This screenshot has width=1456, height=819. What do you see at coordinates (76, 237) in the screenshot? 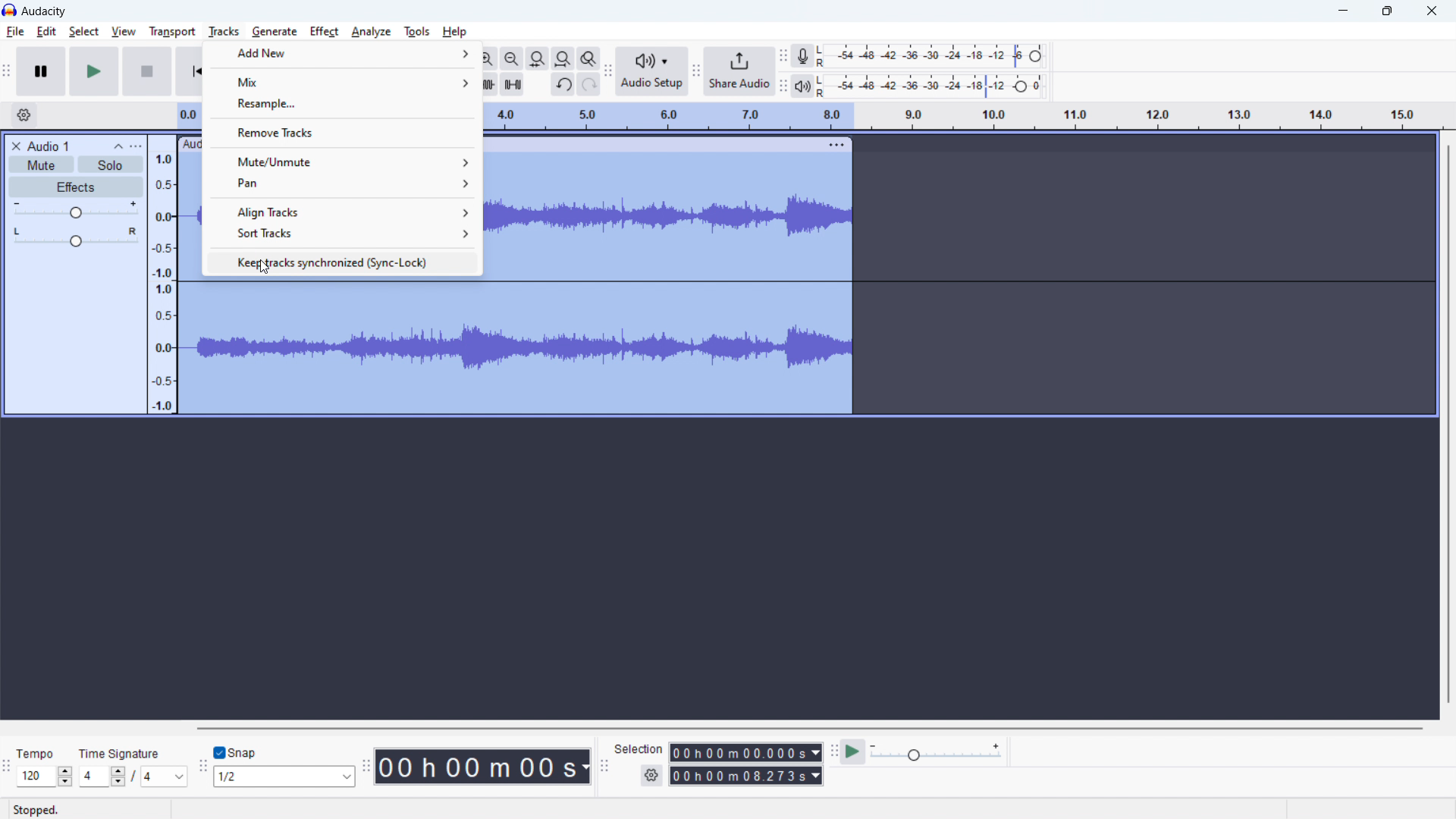
I see `pan` at bounding box center [76, 237].